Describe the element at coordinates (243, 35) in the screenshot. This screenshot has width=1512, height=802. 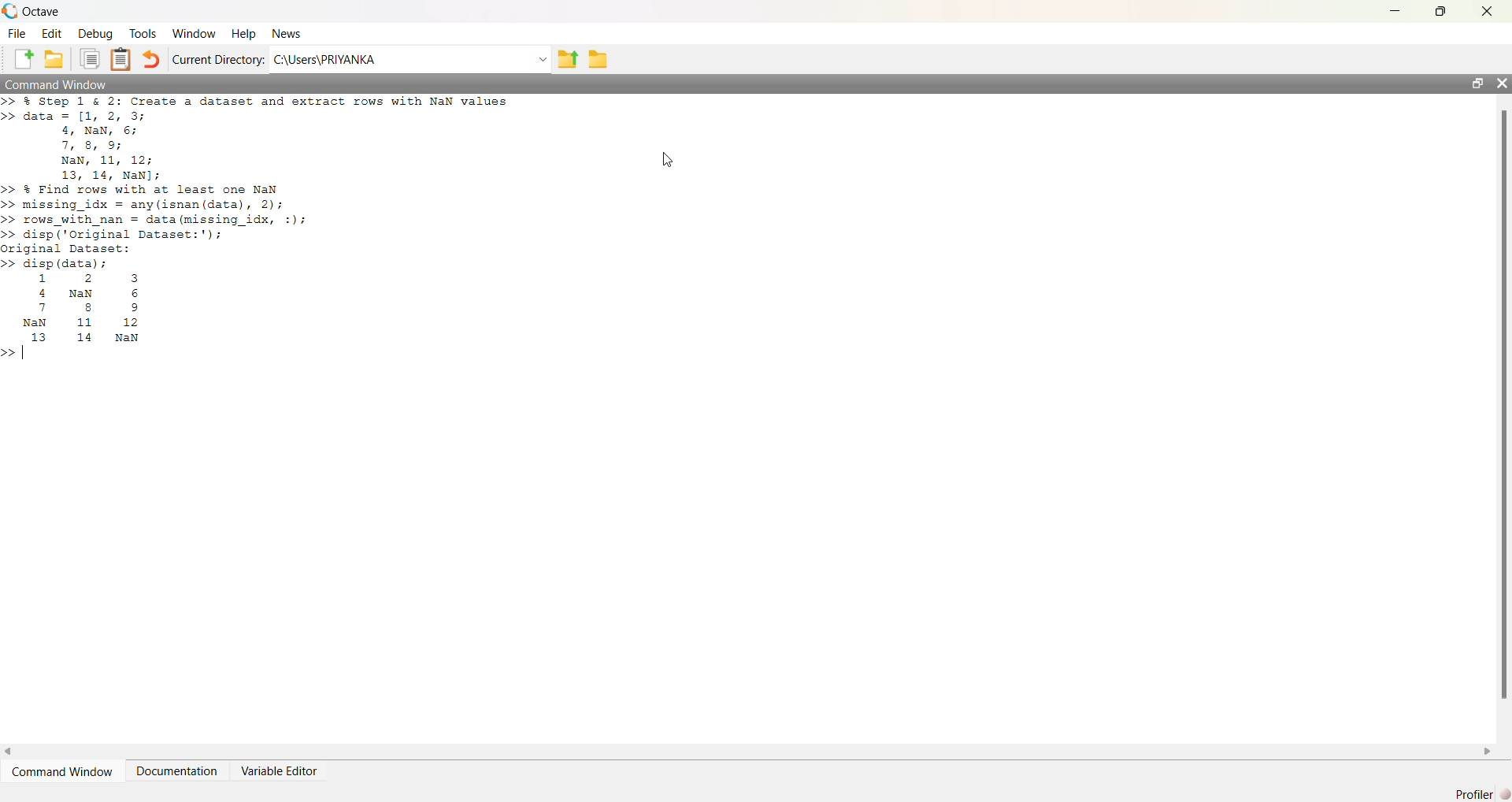
I see `Help` at that location.